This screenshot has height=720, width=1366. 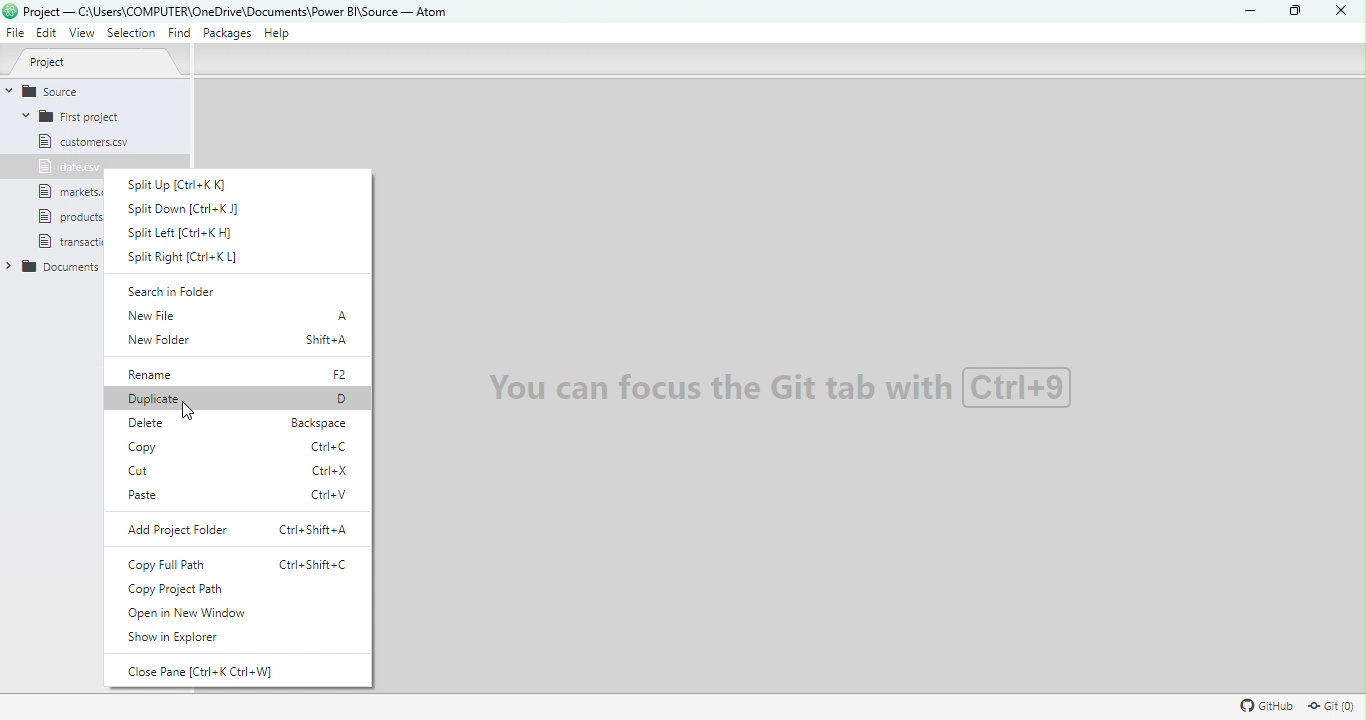 I want to click on Copy full path, so click(x=232, y=565).